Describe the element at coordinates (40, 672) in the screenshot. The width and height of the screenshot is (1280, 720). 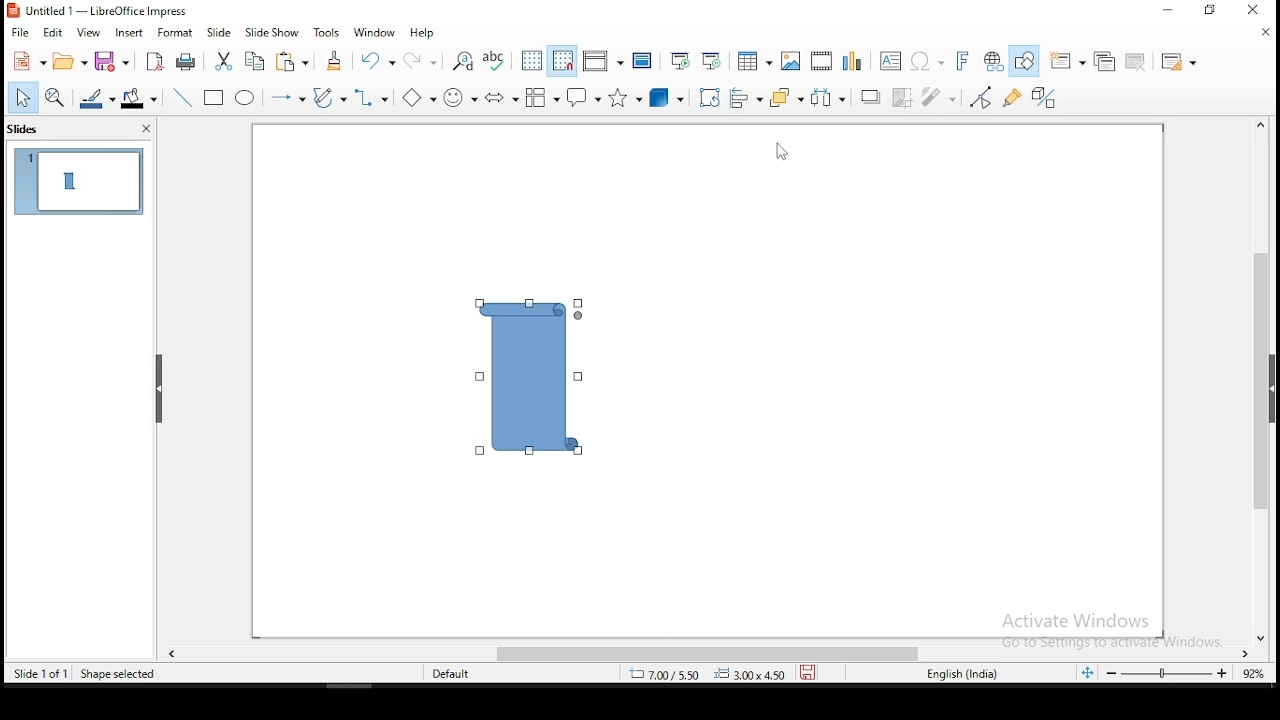
I see `slide 1 of 1` at that location.